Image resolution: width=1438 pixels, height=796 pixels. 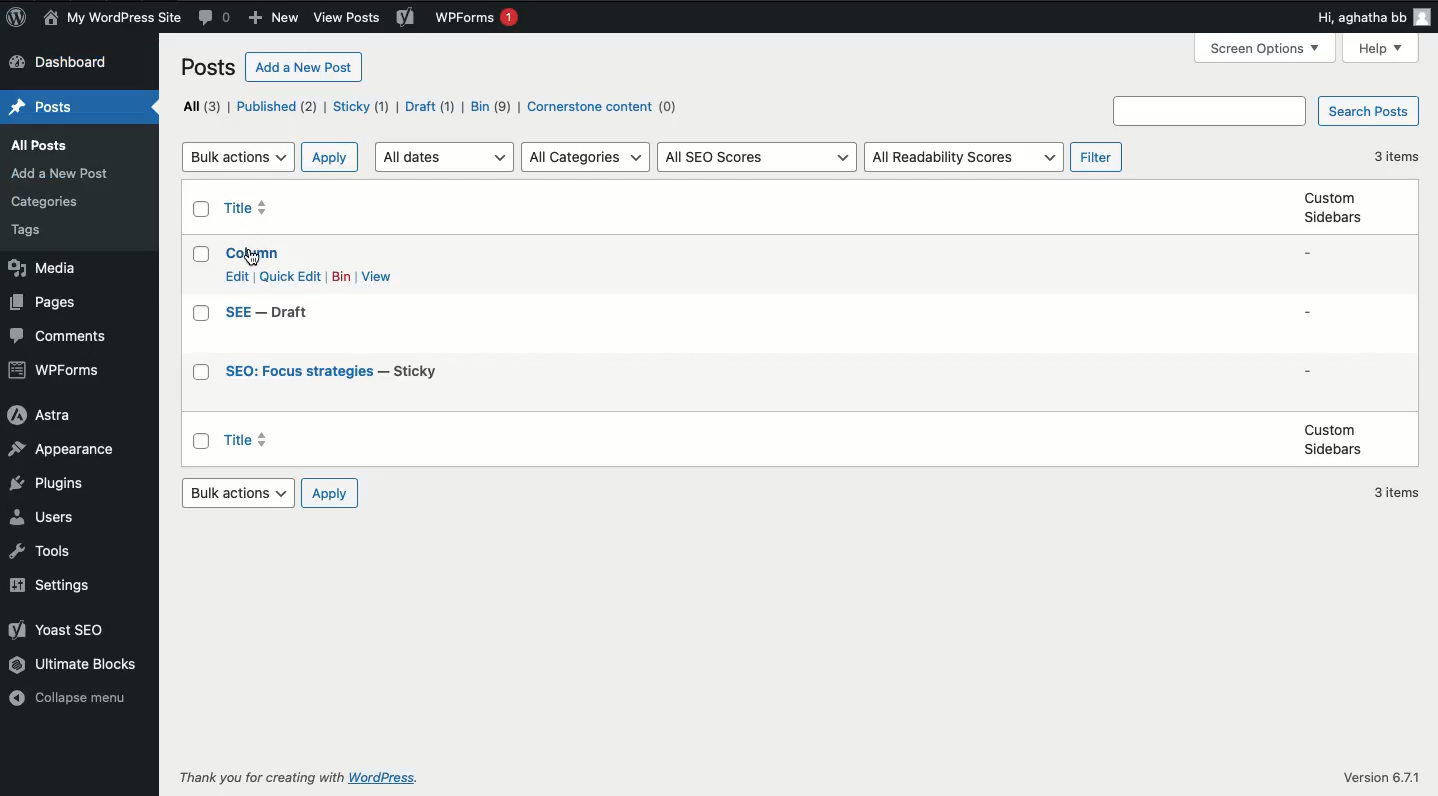 I want to click on Ultimate blocks, so click(x=76, y=665).